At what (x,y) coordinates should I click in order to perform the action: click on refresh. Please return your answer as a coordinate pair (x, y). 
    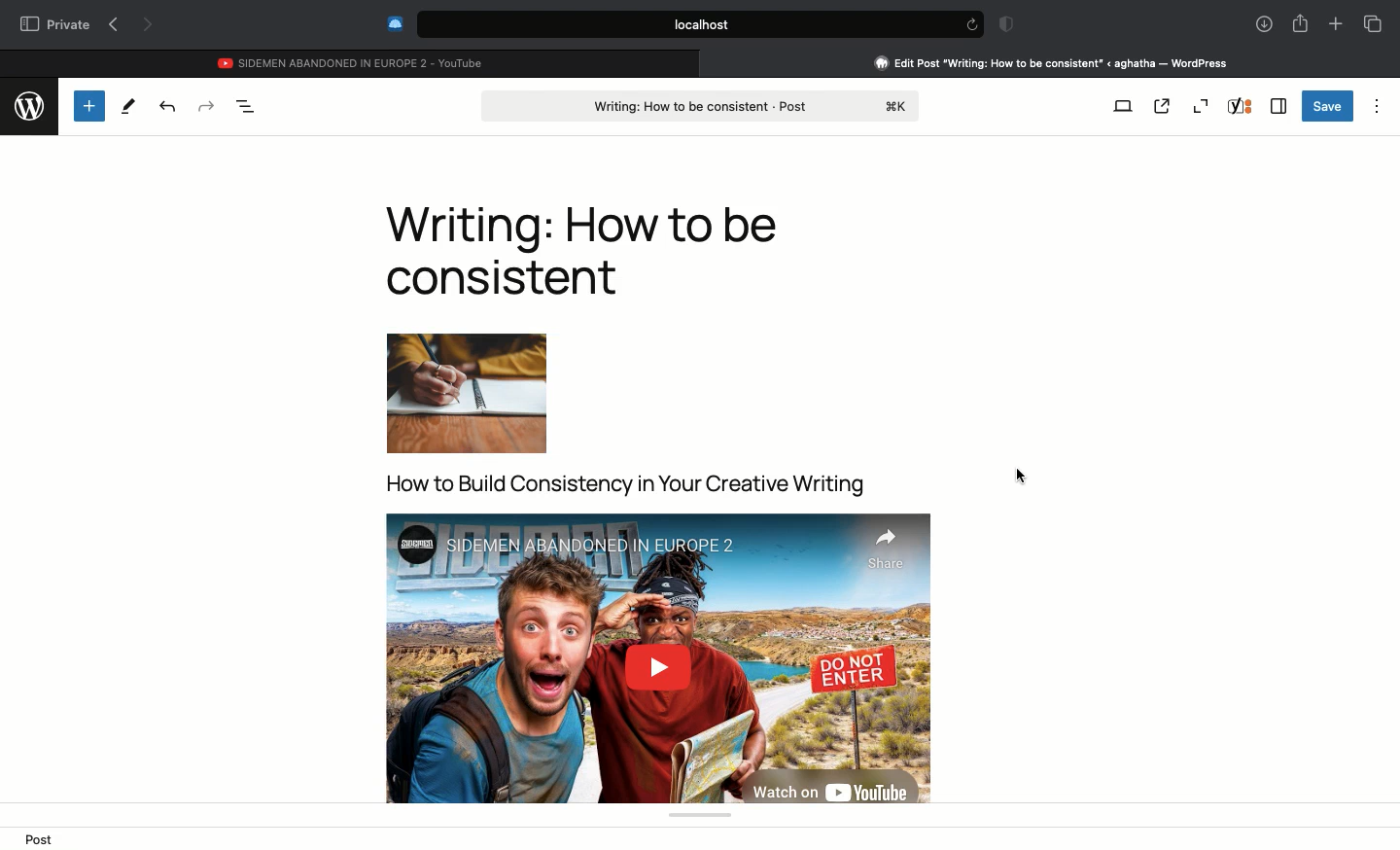
    Looking at the image, I should click on (970, 24).